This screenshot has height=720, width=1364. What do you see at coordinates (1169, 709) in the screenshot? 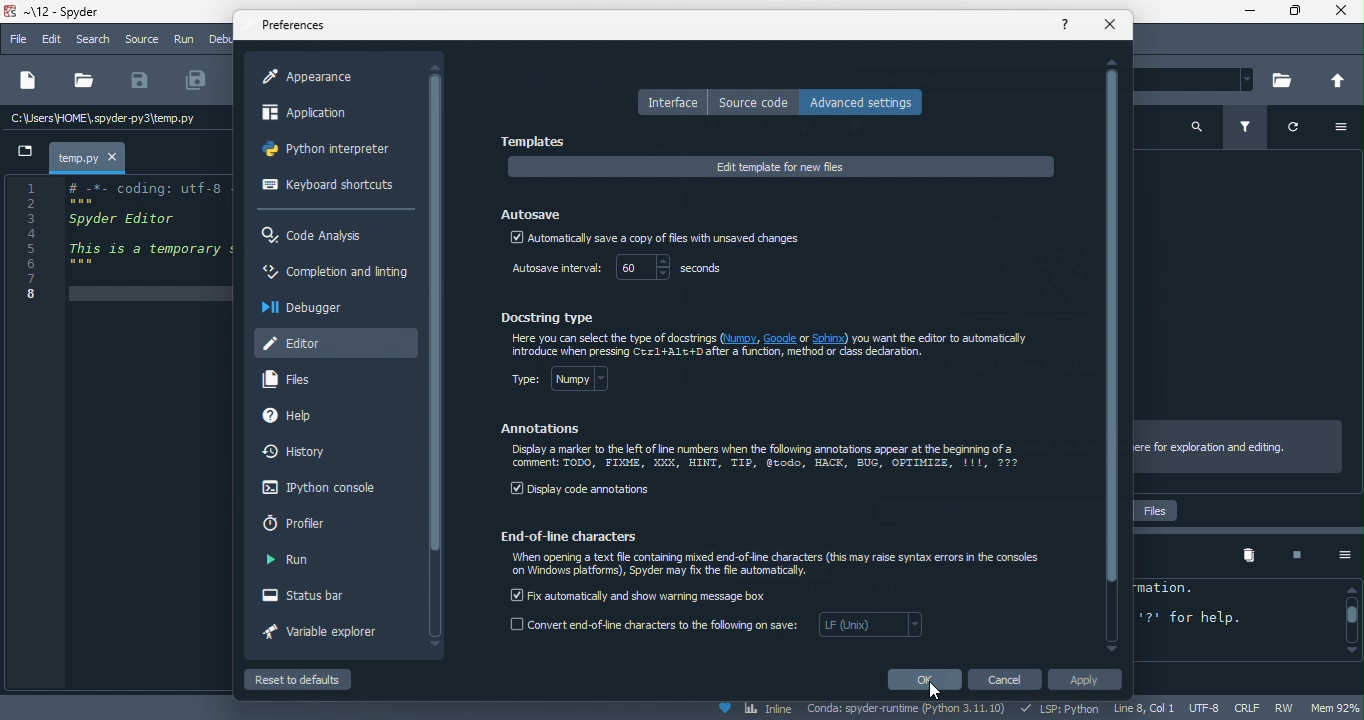
I see `line 8, col1 utf 8` at bounding box center [1169, 709].